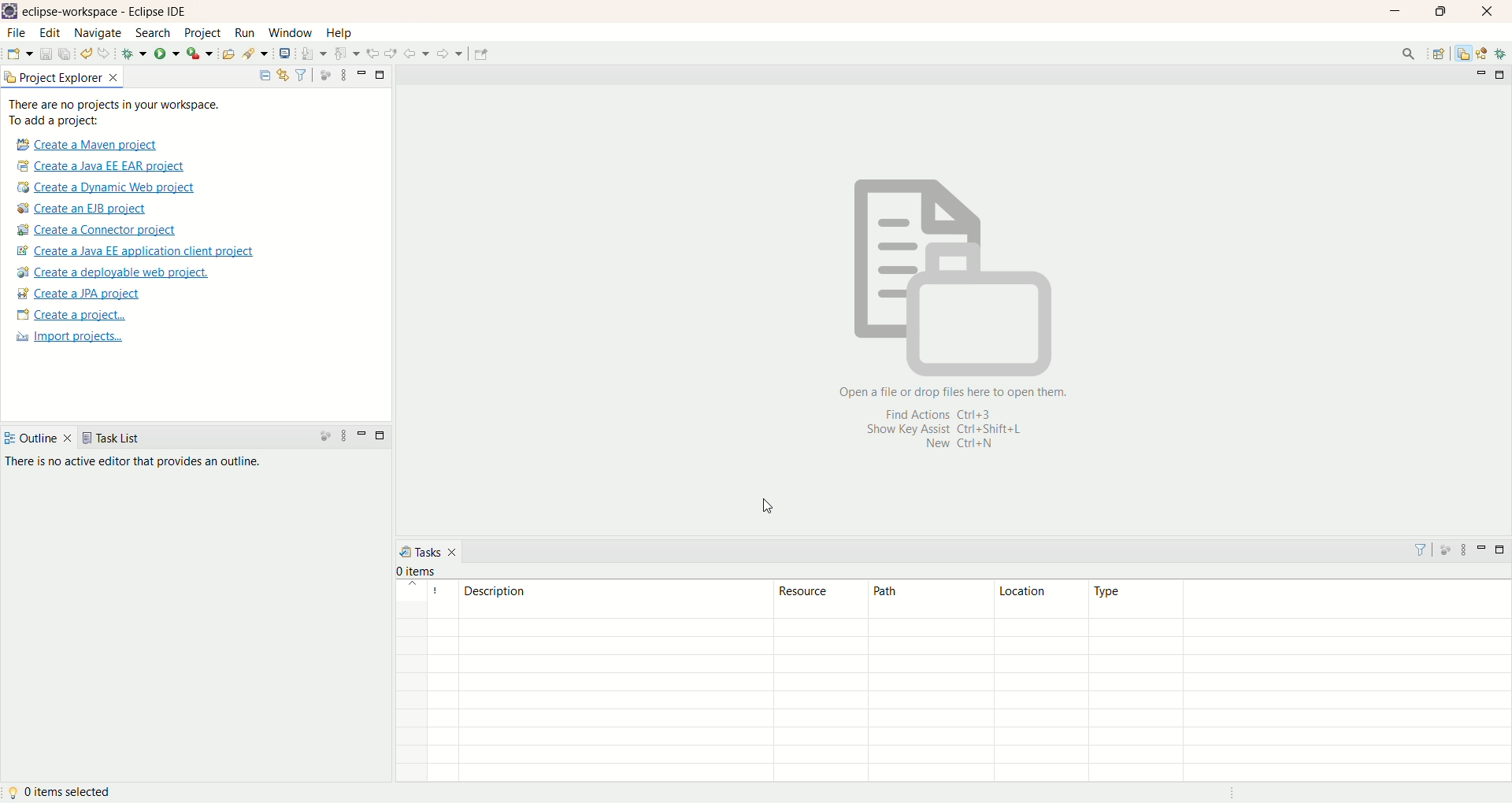 The image size is (1512, 803). What do you see at coordinates (1484, 551) in the screenshot?
I see `minimize` at bounding box center [1484, 551].